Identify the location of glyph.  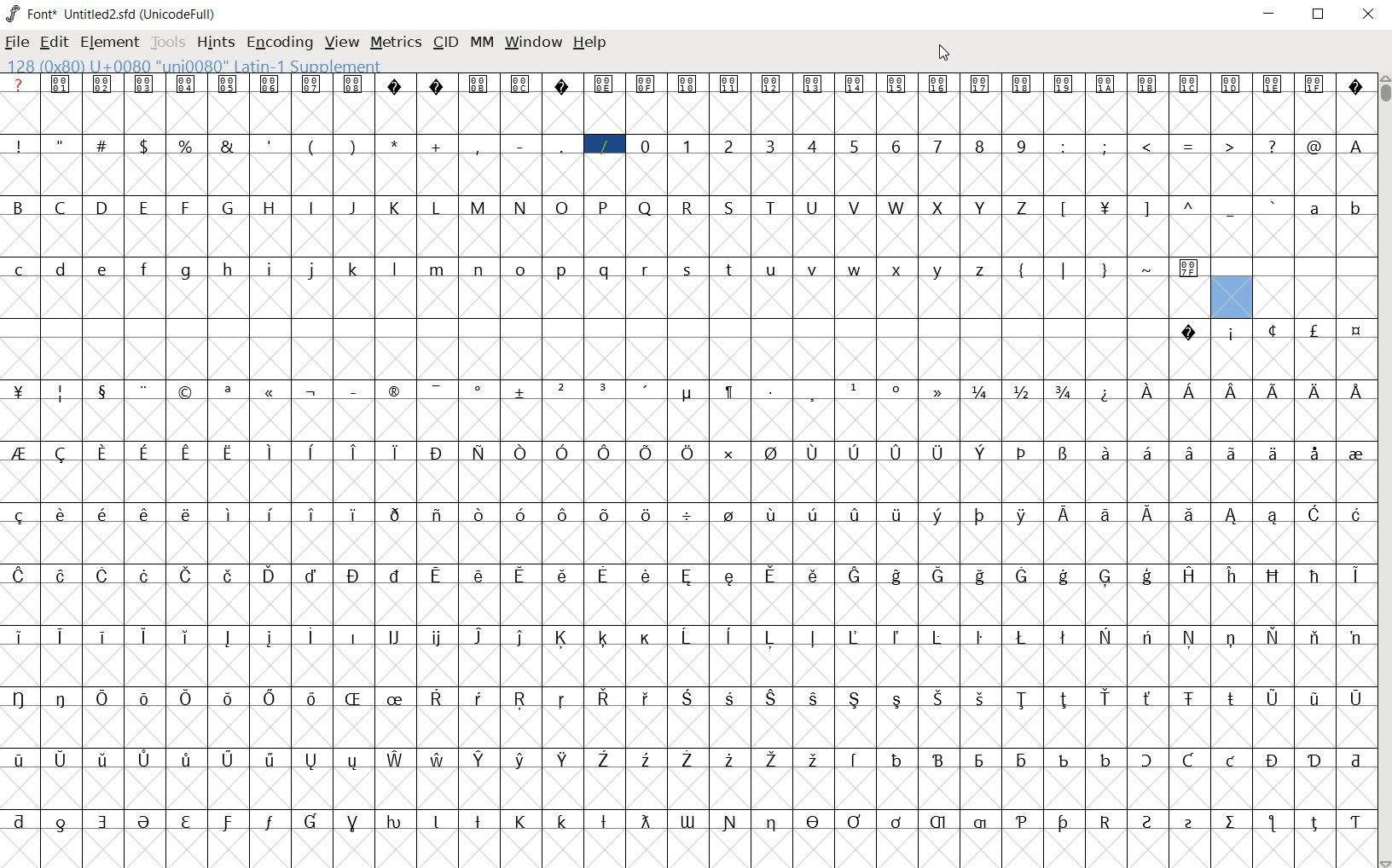
(1020, 208).